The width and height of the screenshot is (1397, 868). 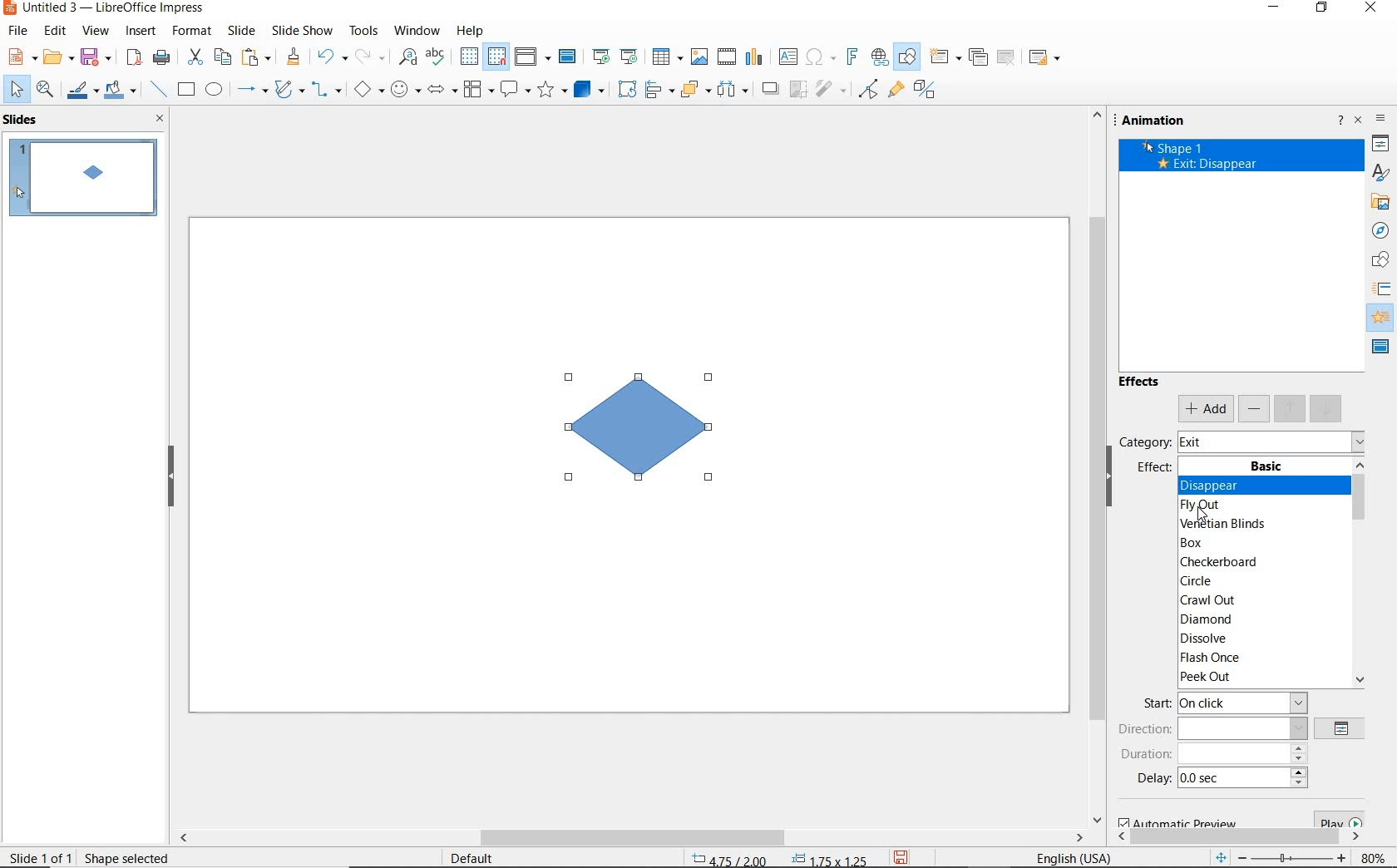 What do you see at coordinates (1254, 409) in the screenshot?
I see `remove effect` at bounding box center [1254, 409].